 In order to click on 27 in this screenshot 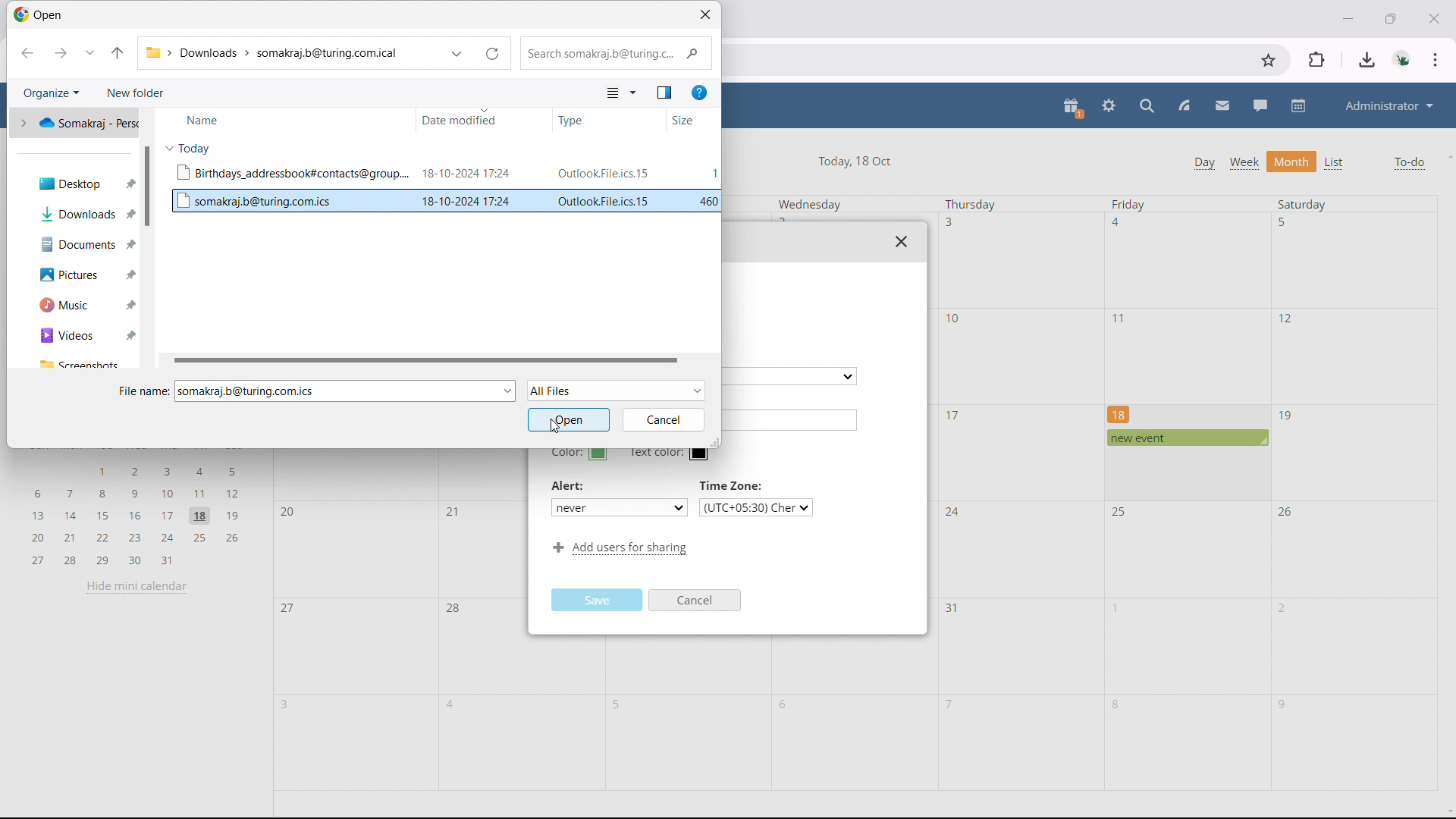, I will do `click(289, 610)`.